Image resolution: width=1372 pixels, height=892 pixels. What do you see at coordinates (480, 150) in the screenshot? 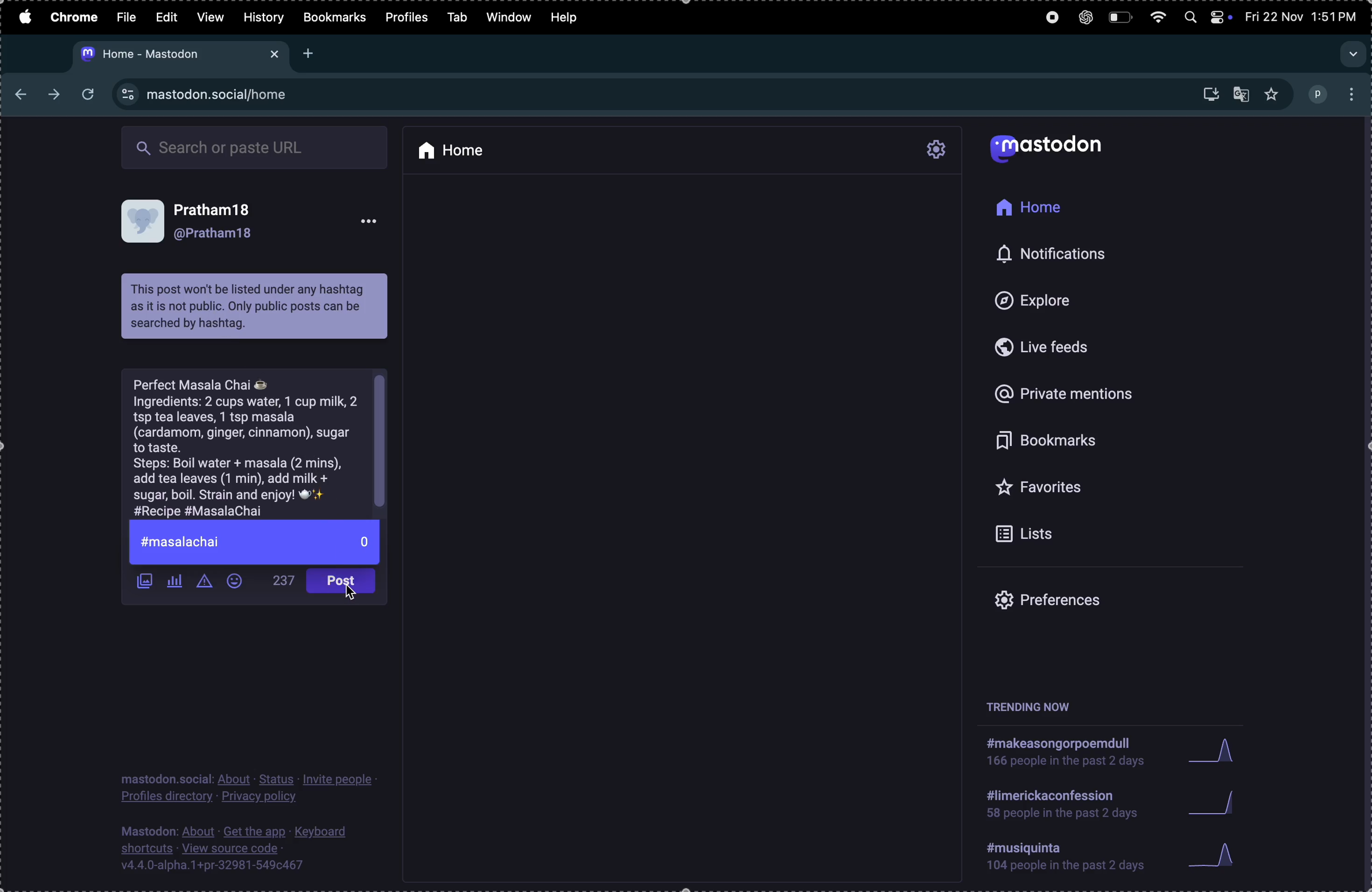
I see `home` at bounding box center [480, 150].